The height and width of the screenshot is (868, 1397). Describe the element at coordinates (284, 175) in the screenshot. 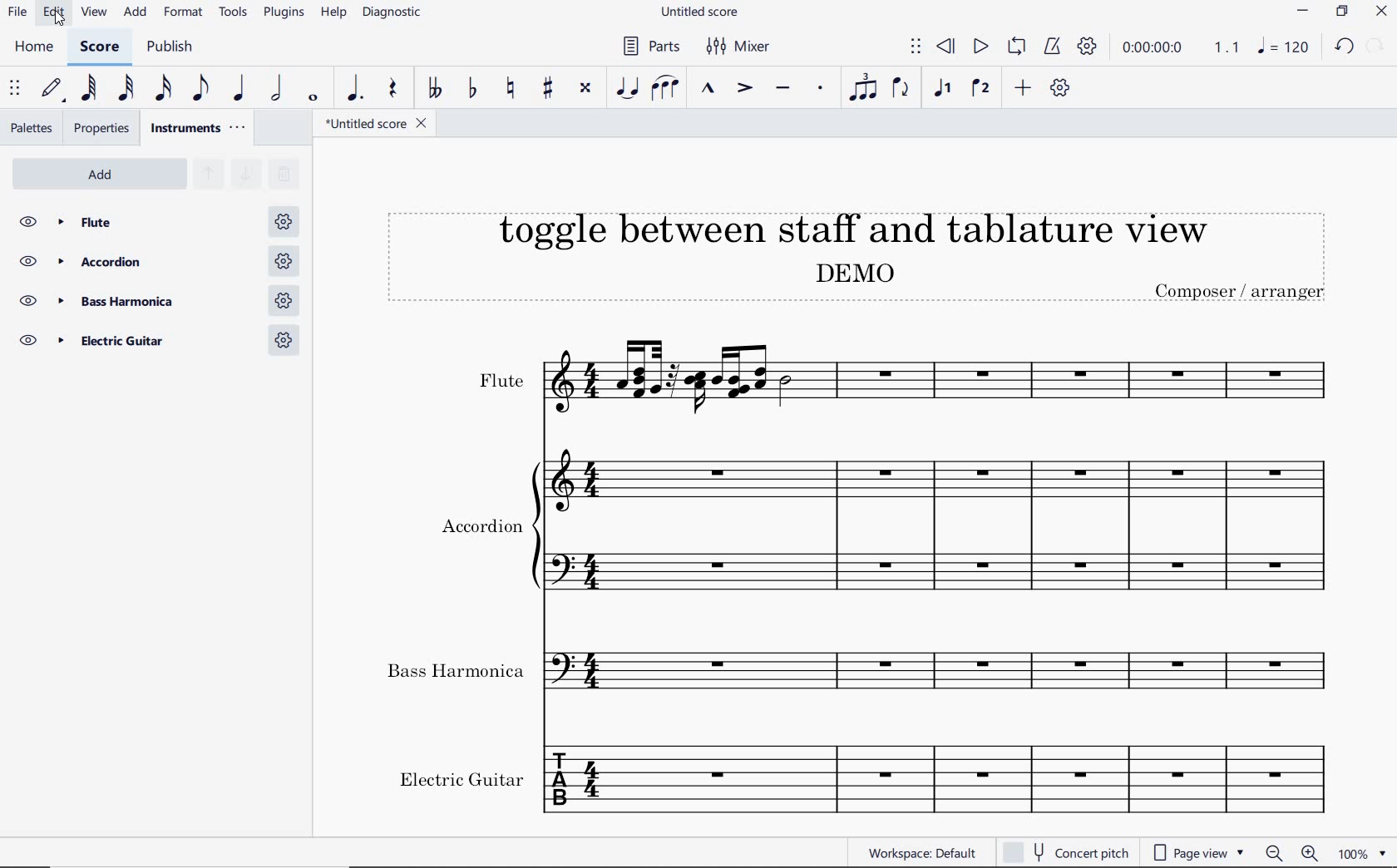

I see `REMOVE SELECTED INSTRUMENTS` at that location.